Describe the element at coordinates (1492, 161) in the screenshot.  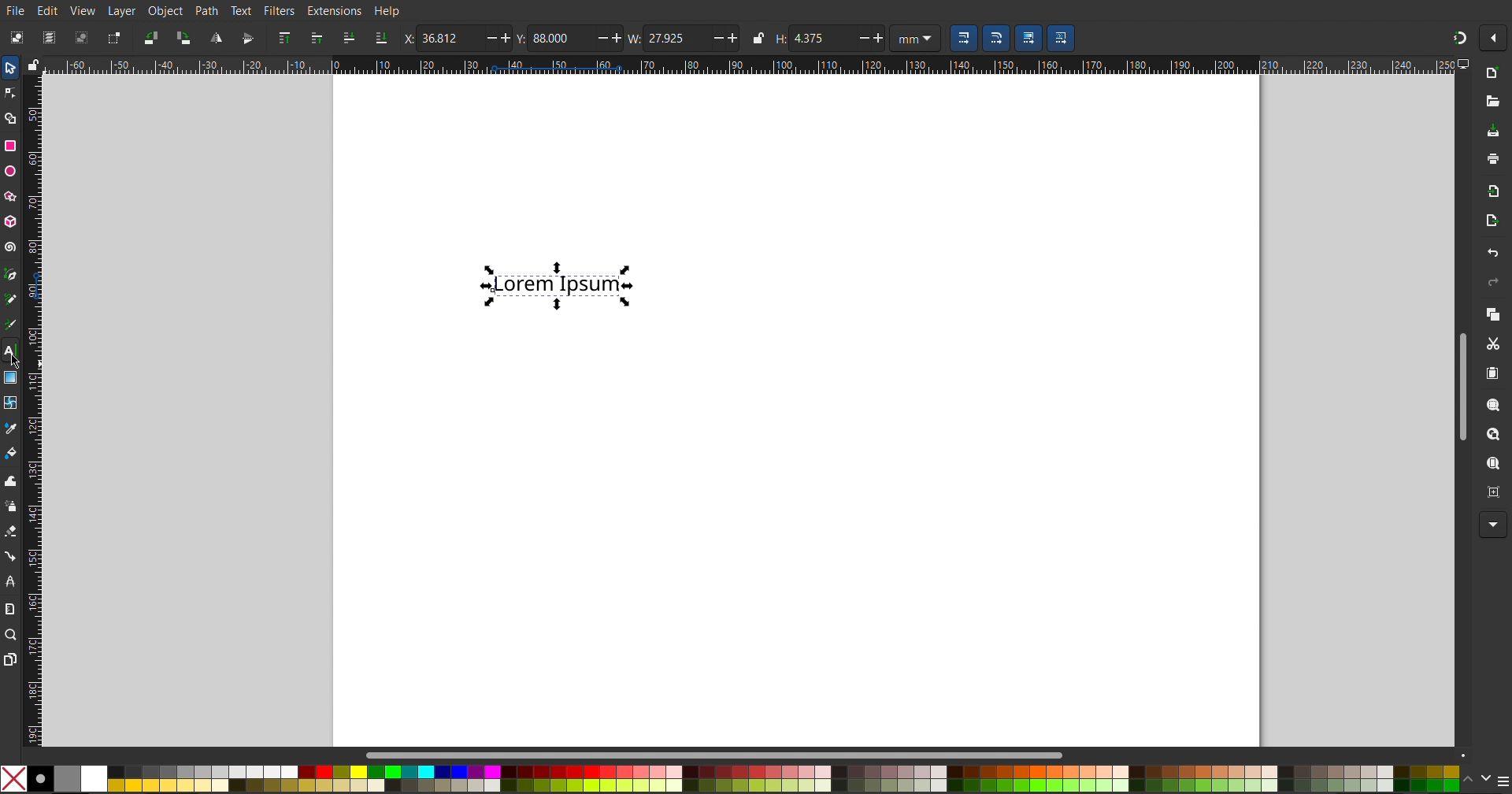
I see `Print` at that location.